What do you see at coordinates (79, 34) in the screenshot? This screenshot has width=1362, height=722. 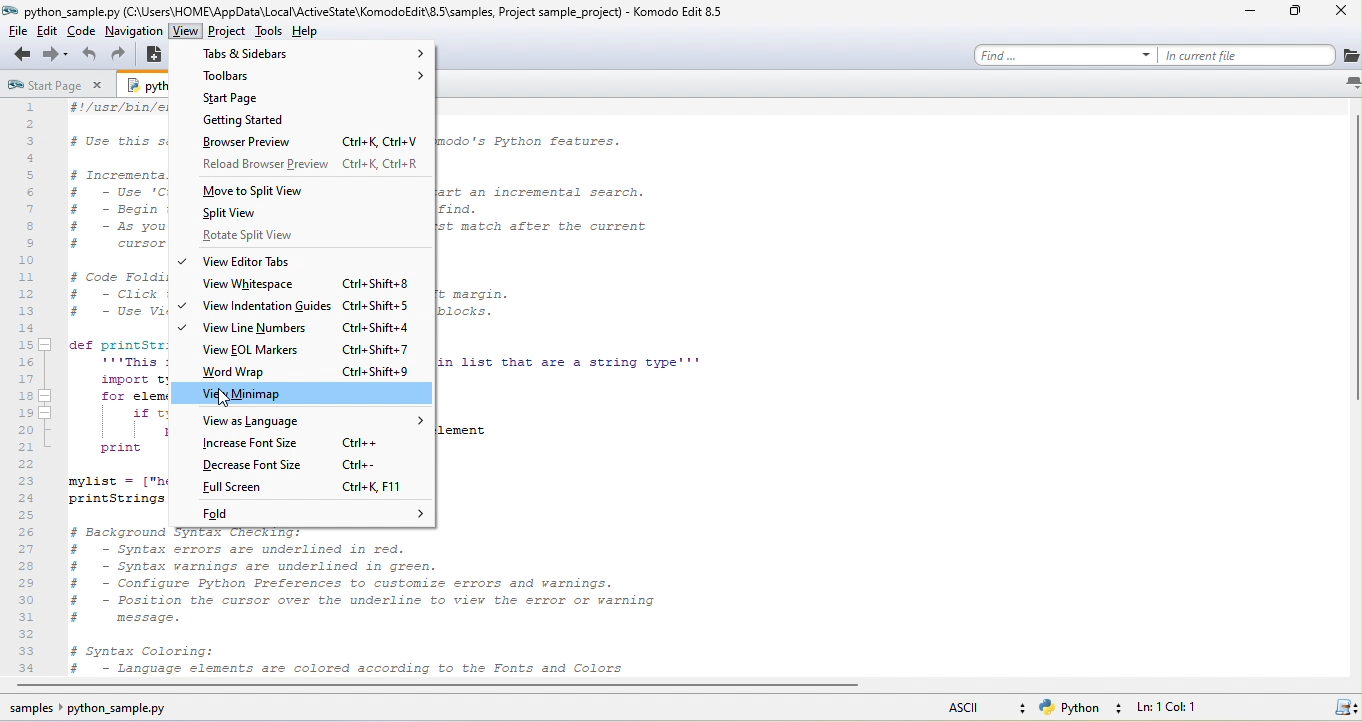 I see `code` at bounding box center [79, 34].